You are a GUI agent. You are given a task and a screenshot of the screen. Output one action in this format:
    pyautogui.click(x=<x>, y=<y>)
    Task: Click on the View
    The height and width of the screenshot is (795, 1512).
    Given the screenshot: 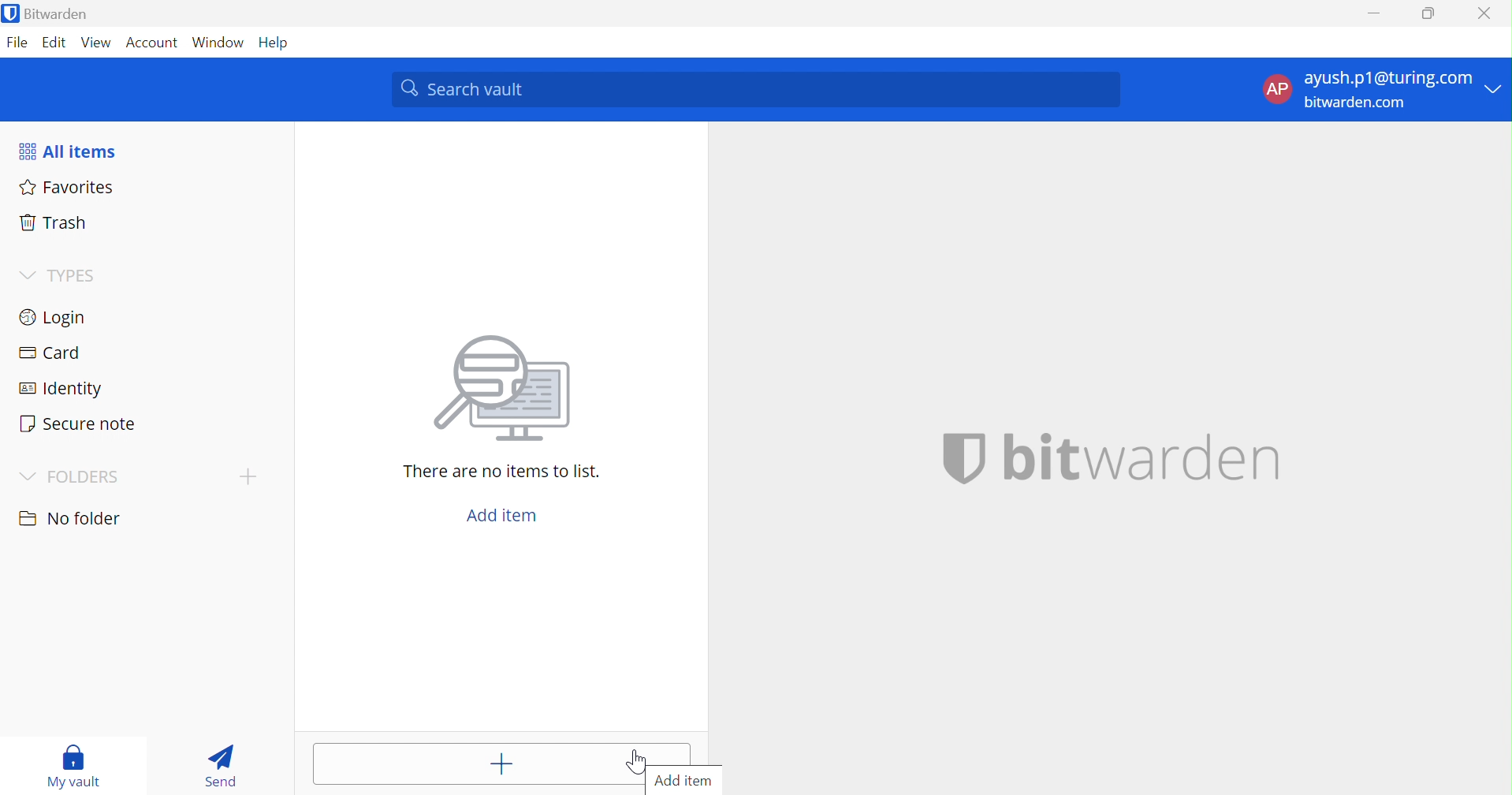 What is the action you would take?
    pyautogui.click(x=94, y=42)
    